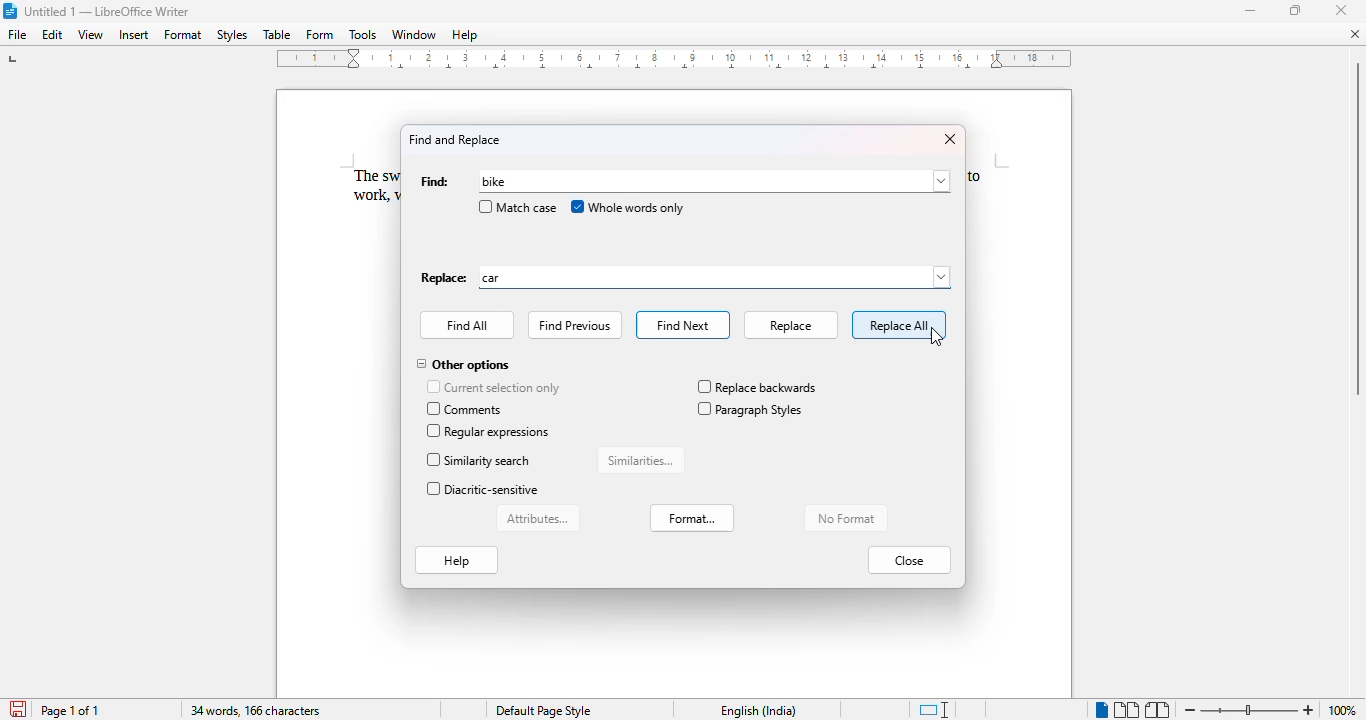 The width and height of the screenshot is (1366, 720). I want to click on form, so click(320, 35).